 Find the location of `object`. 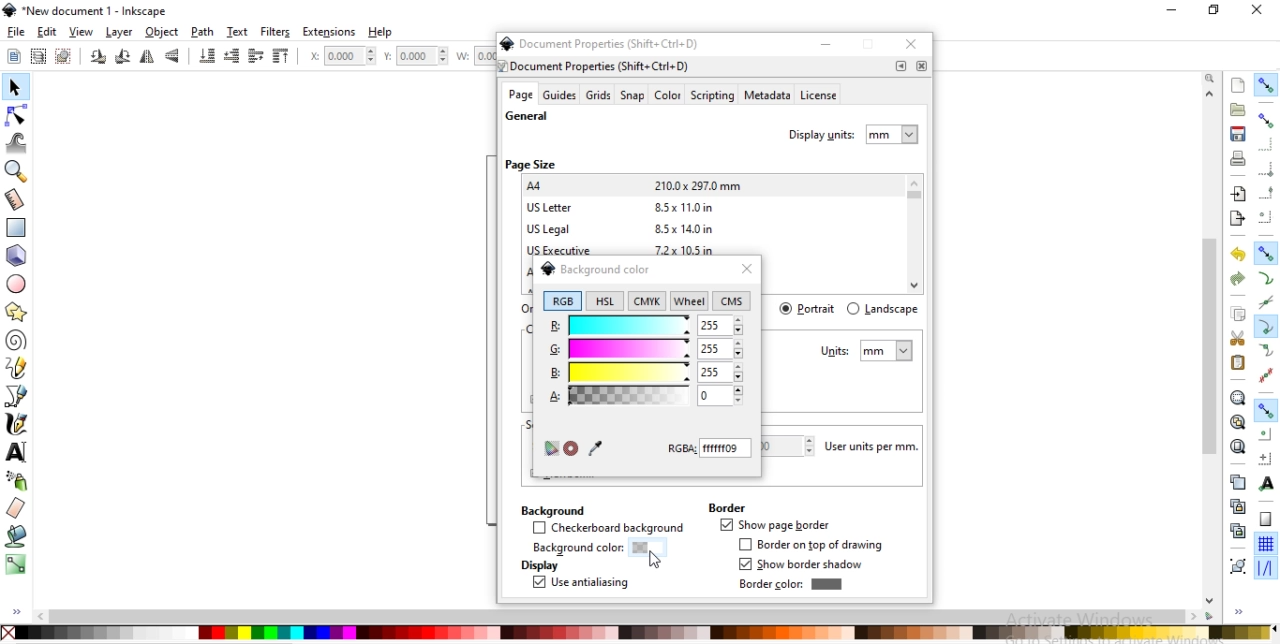

object is located at coordinates (162, 32).